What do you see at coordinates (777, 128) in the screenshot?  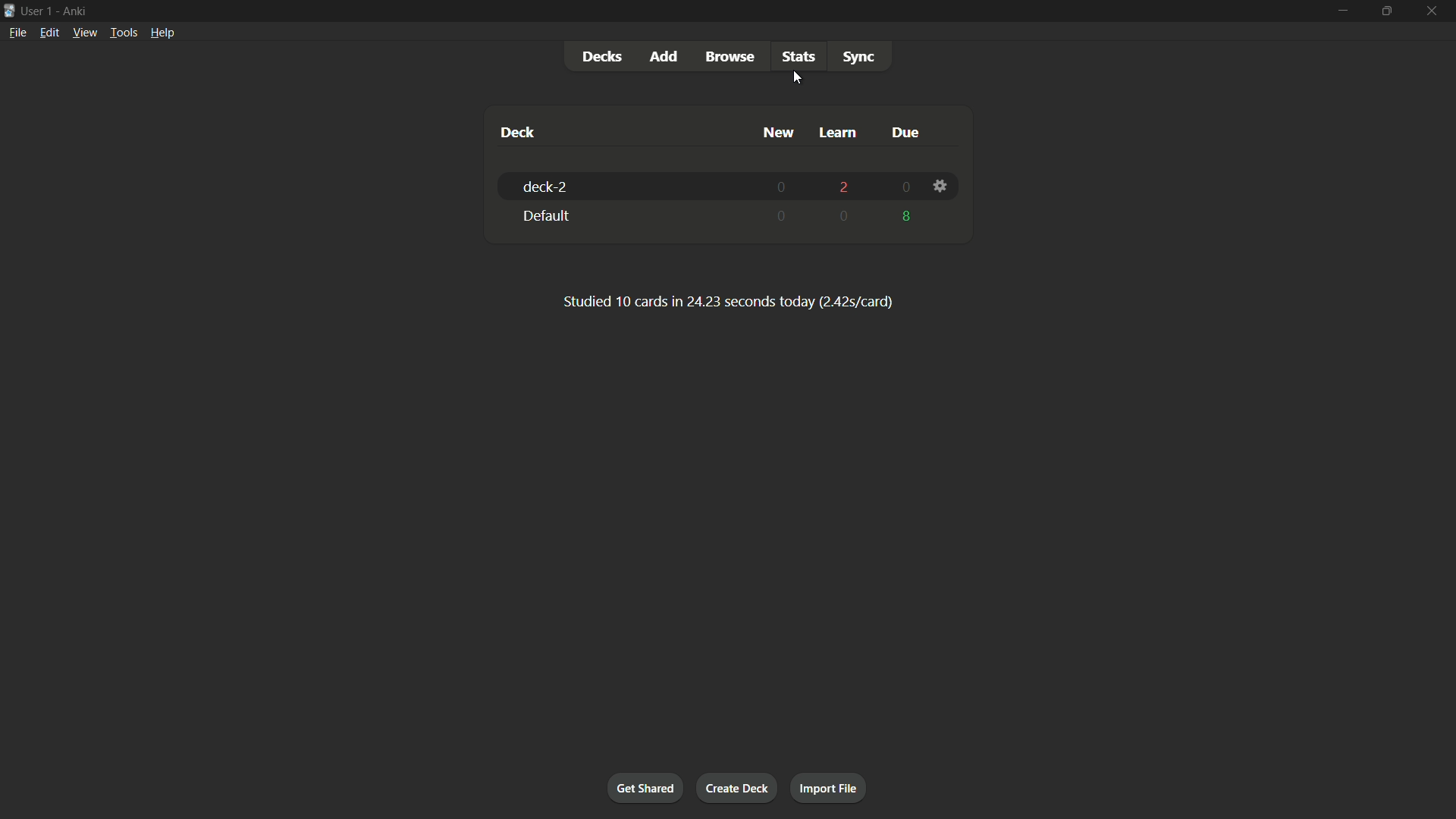 I see `new` at bounding box center [777, 128].